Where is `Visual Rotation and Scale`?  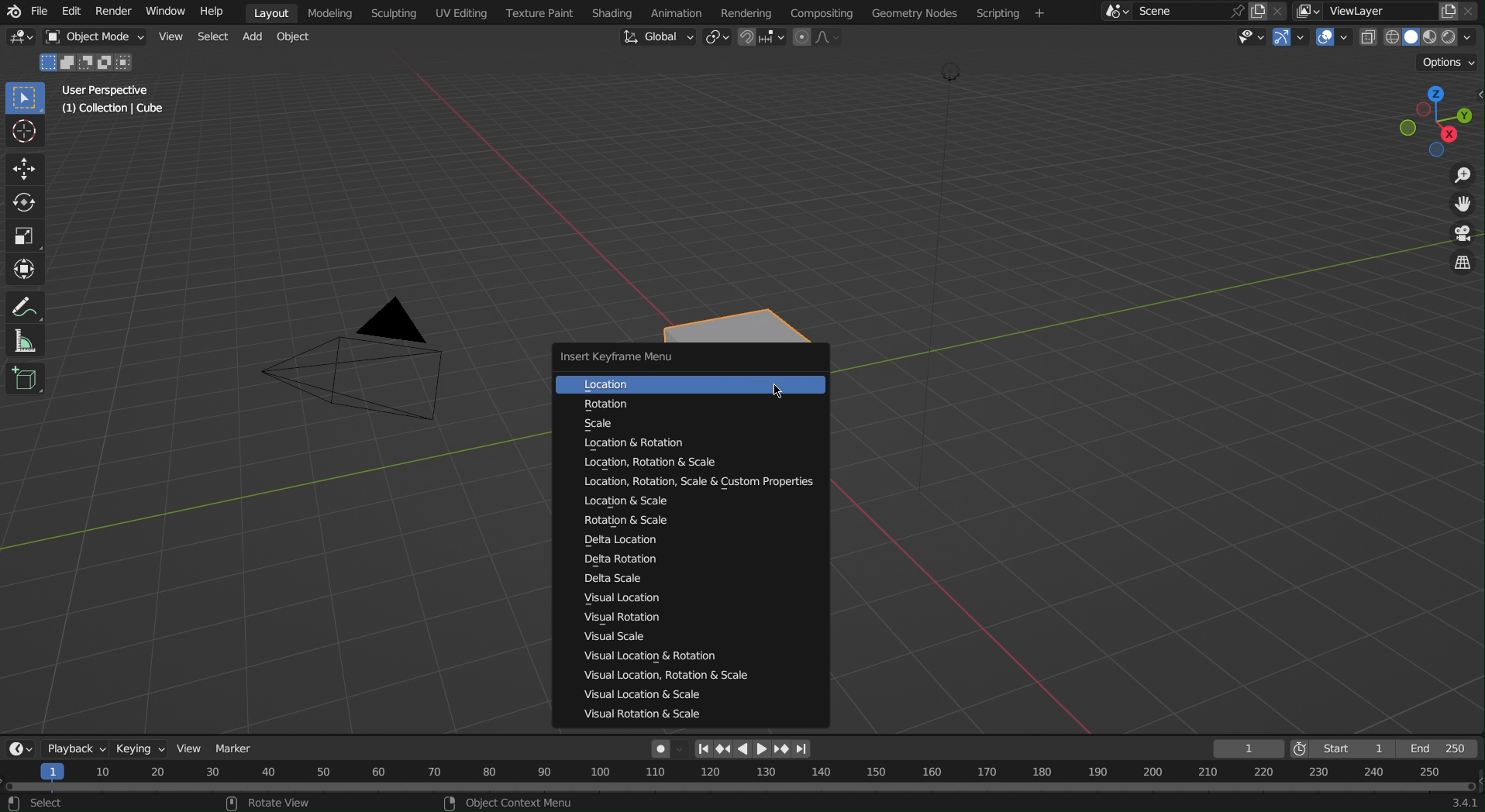
Visual Rotation and Scale is located at coordinates (639, 714).